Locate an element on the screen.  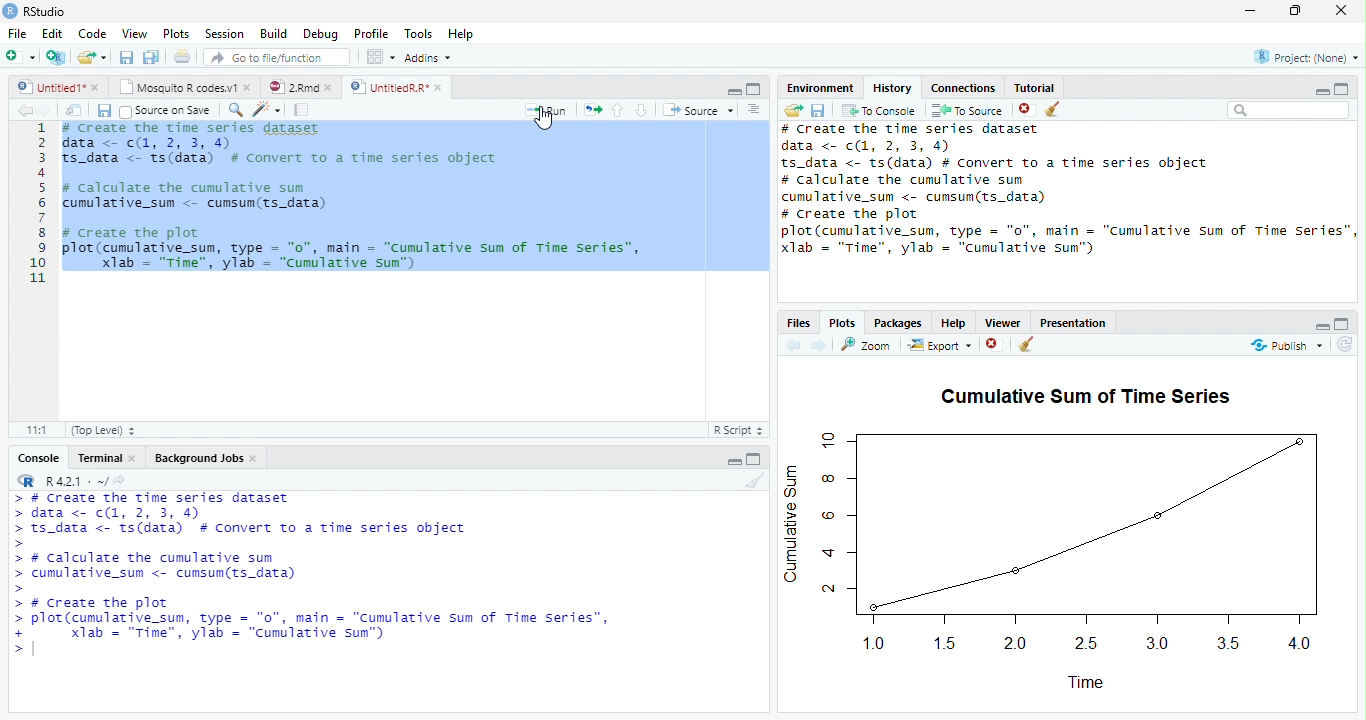
Console is located at coordinates (38, 456).